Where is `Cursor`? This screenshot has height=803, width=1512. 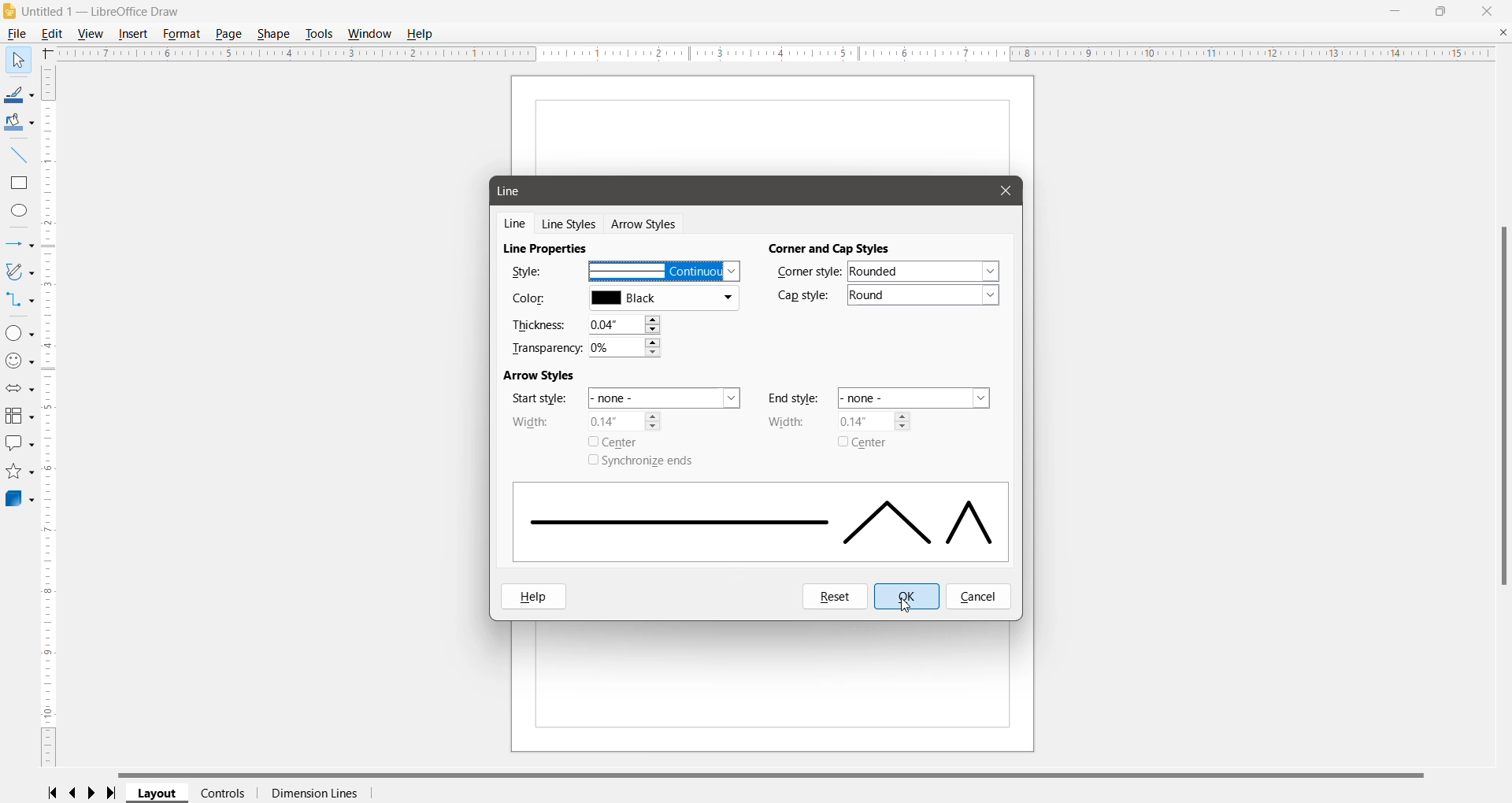
Cursor is located at coordinates (1003, 191).